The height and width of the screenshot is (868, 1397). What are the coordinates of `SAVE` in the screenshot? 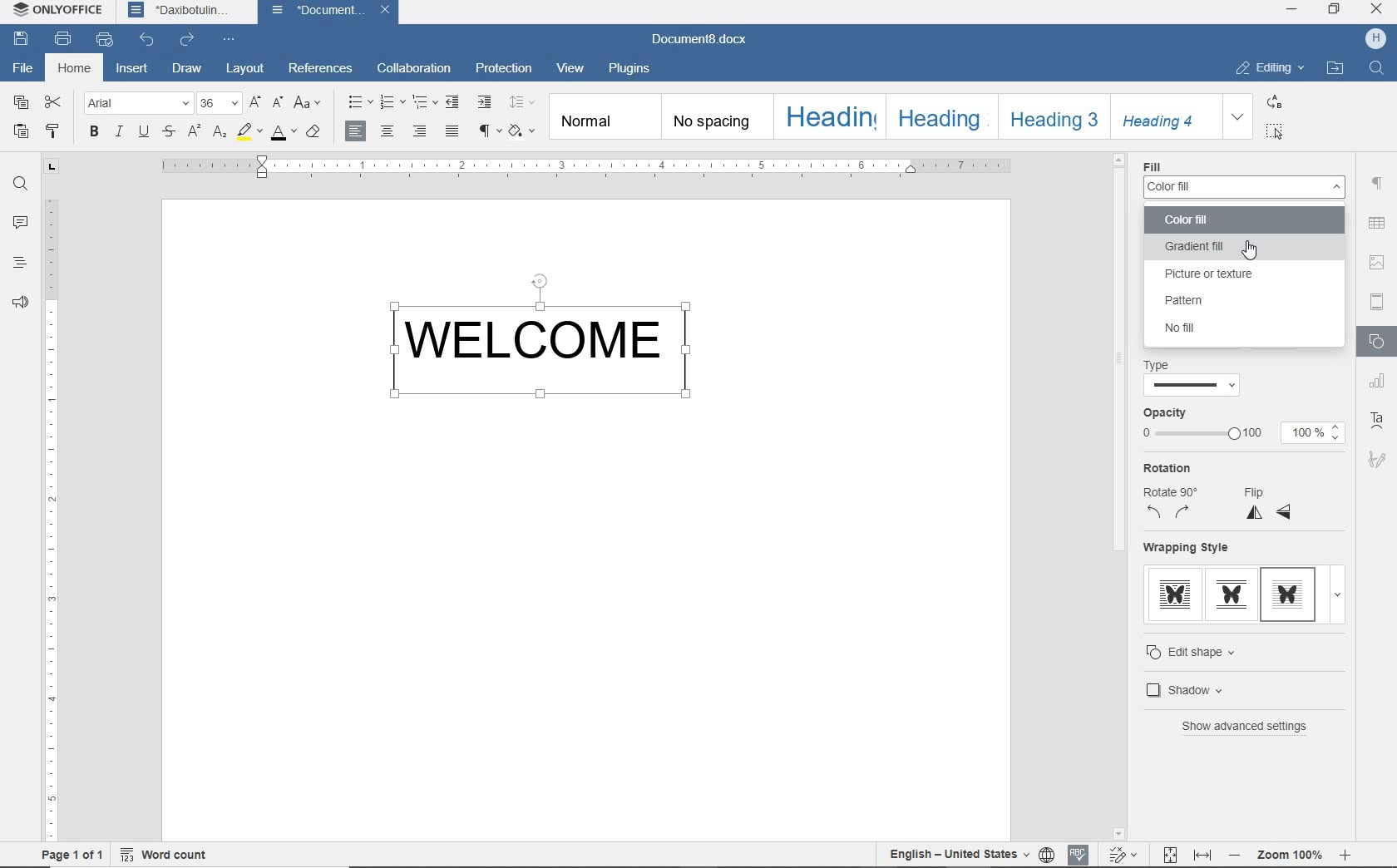 It's located at (20, 37).